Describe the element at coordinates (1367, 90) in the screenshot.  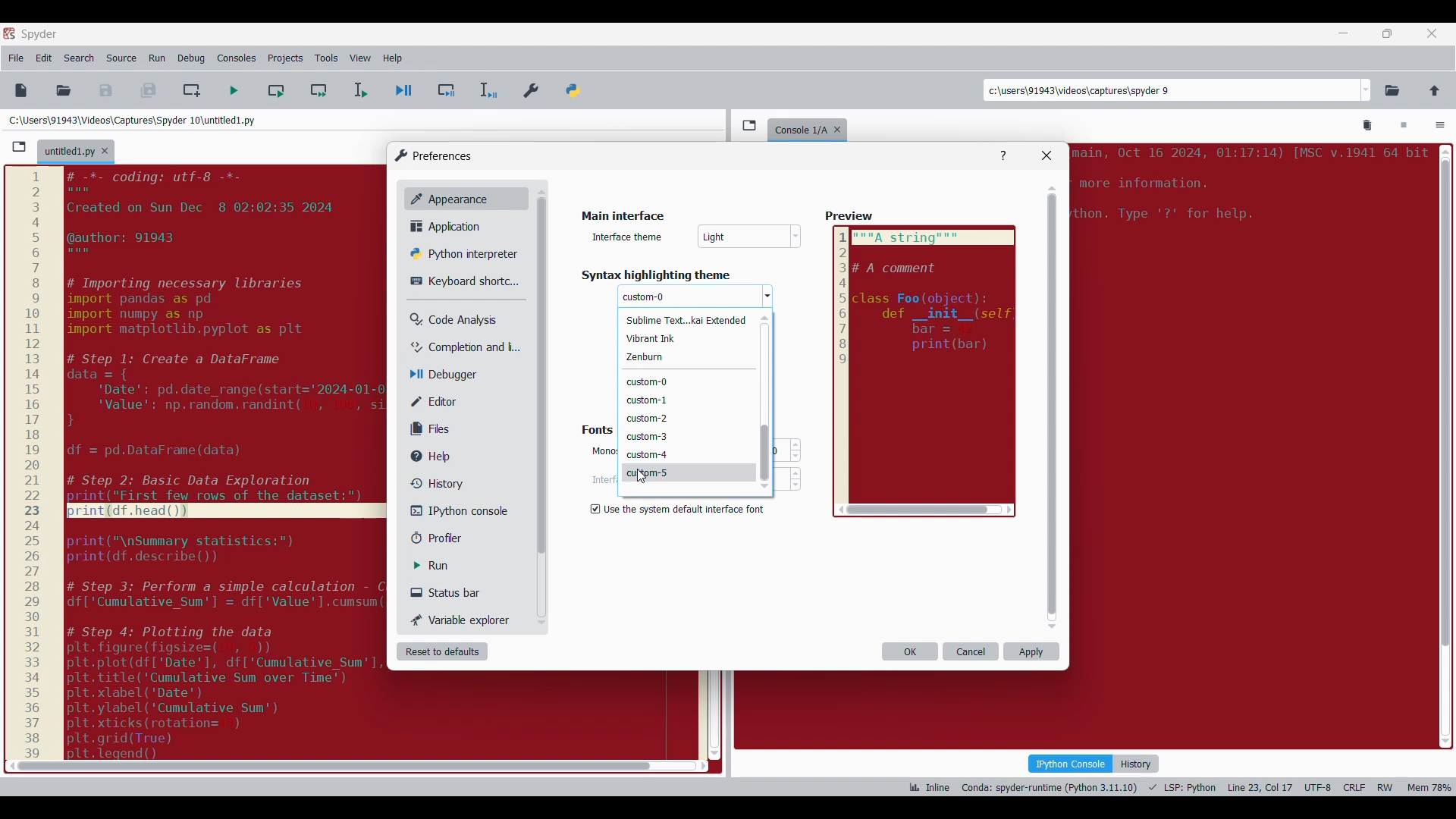
I see `Location options` at that location.